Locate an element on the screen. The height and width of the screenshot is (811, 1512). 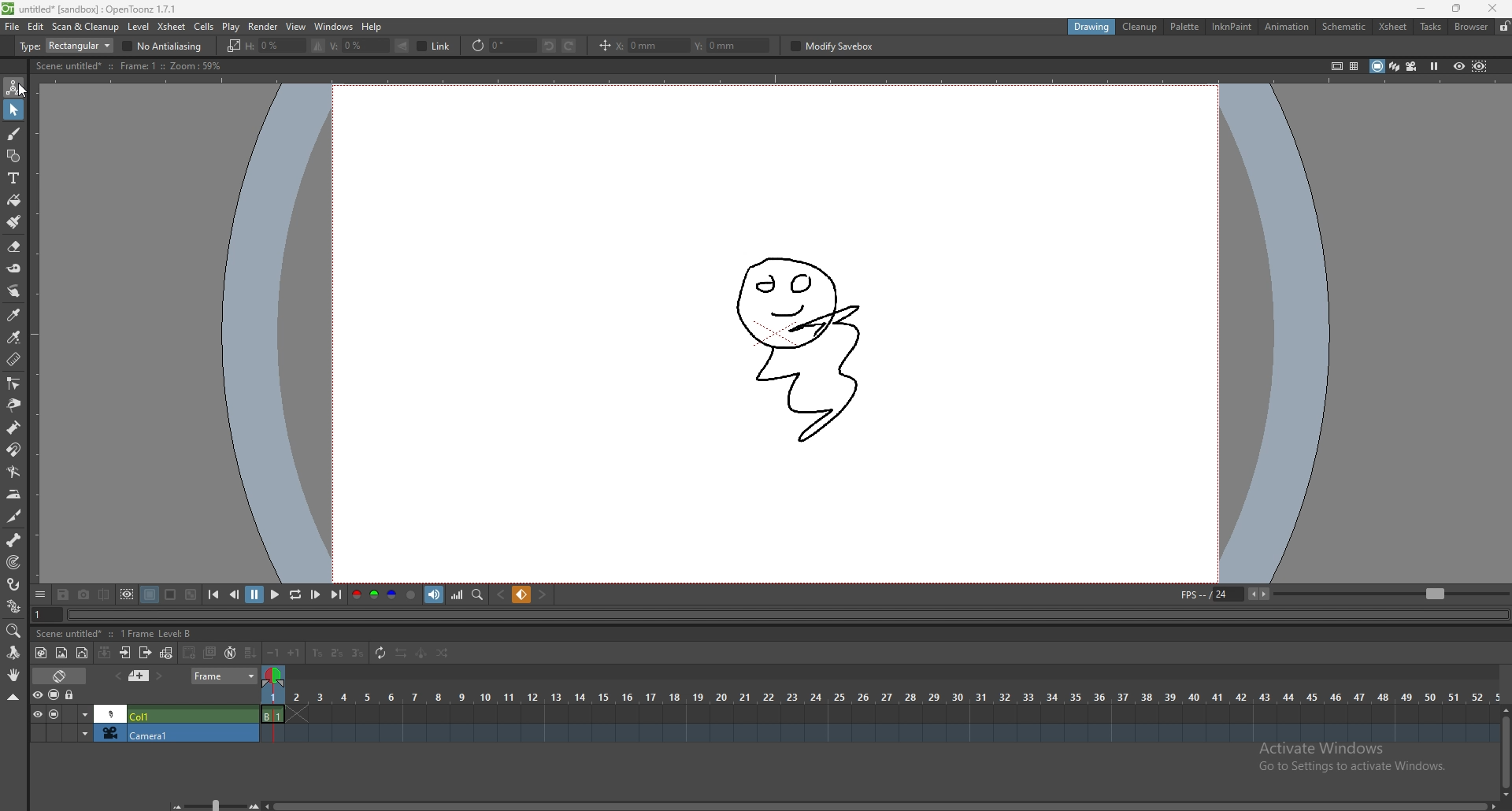
previous is located at coordinates (235, 595).